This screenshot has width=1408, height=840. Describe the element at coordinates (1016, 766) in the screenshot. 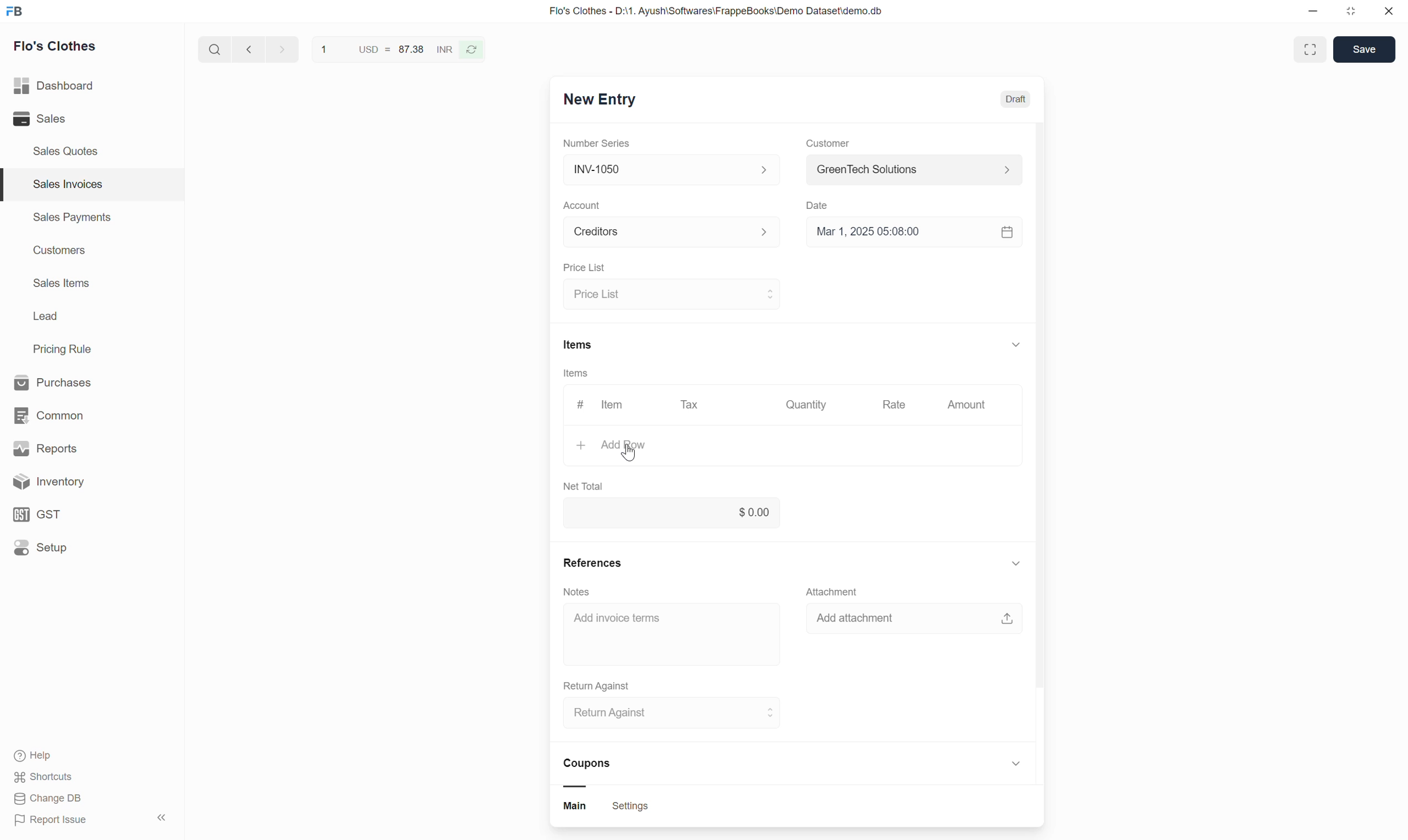

I see `show or hide coupon` at that location.